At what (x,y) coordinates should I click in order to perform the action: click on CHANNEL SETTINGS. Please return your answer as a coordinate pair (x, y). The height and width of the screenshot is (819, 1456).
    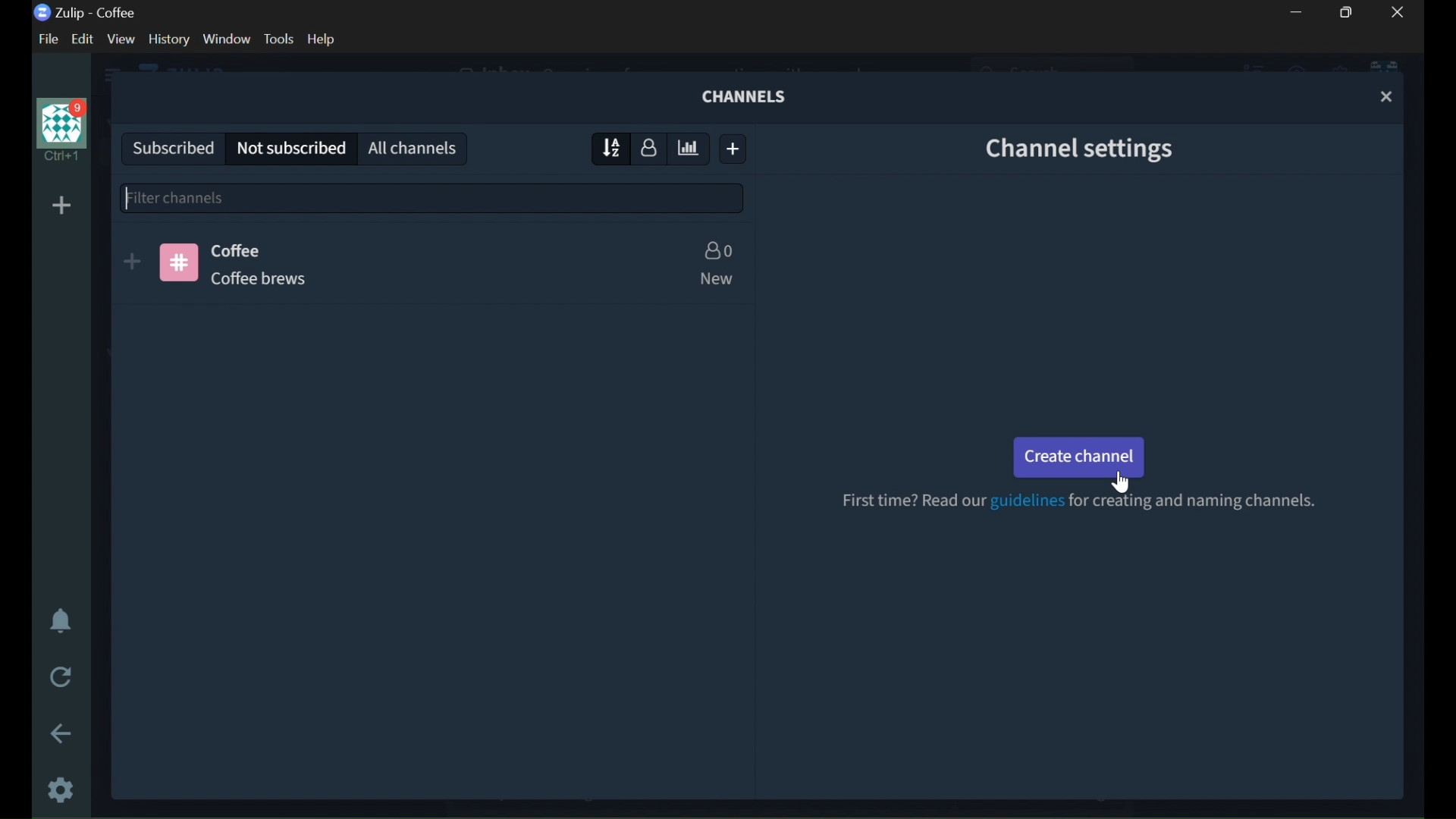
    Looking at the image, I should click on (1070, 149).